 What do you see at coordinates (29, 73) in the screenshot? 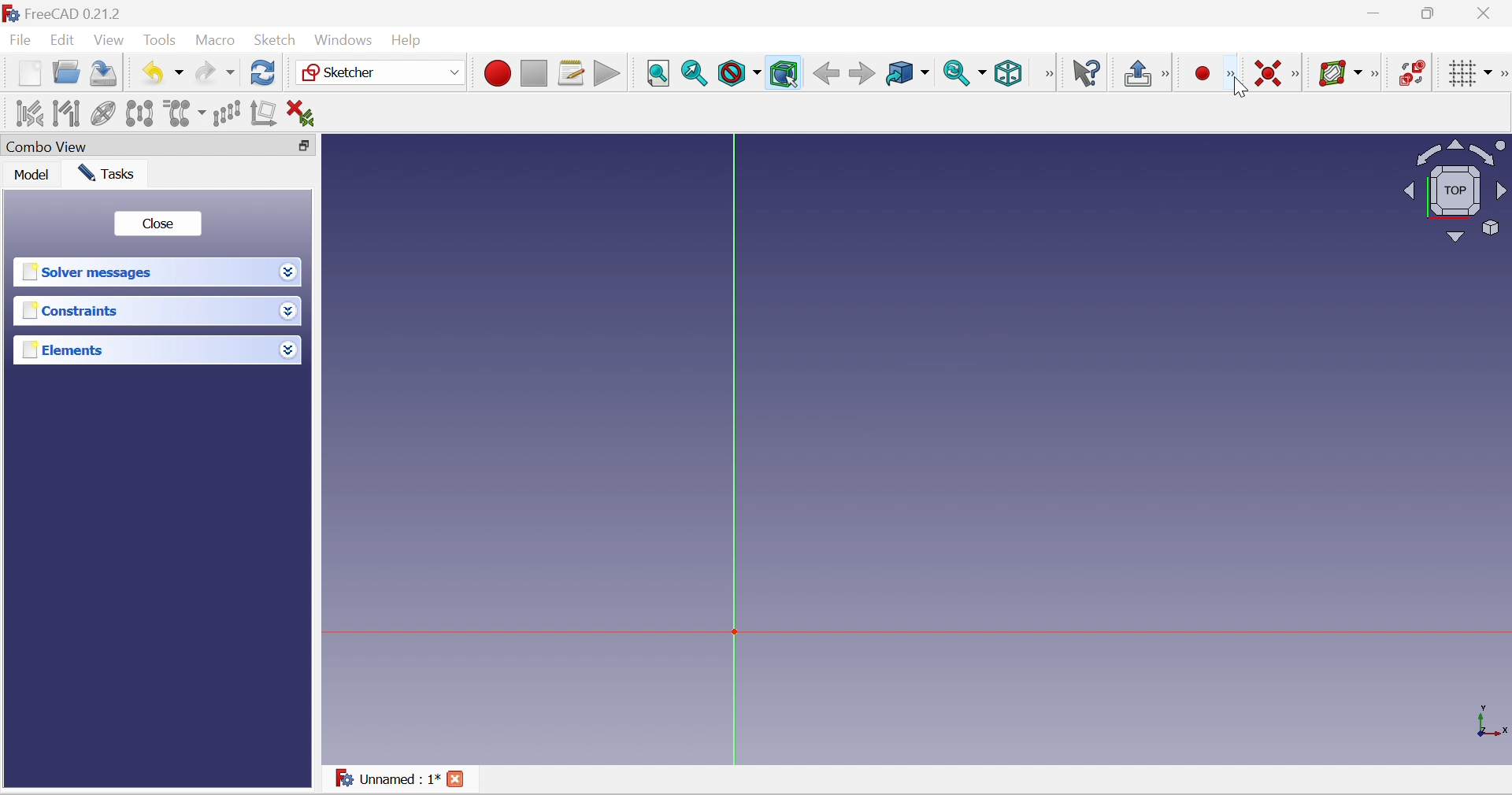
I see `New` at bounding box center [29, 73].